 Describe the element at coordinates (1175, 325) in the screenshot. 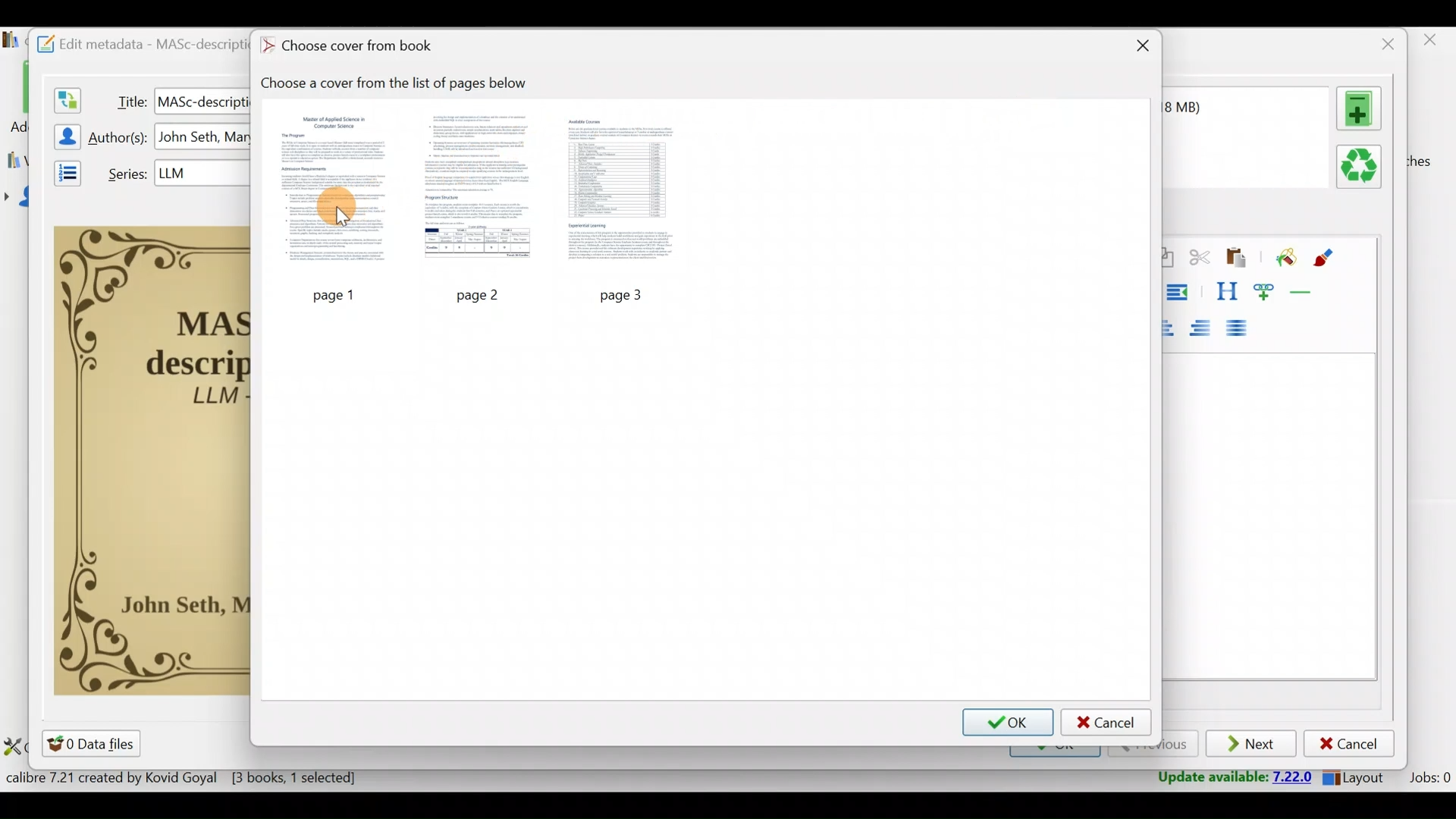

I see `Align centre` at that location.